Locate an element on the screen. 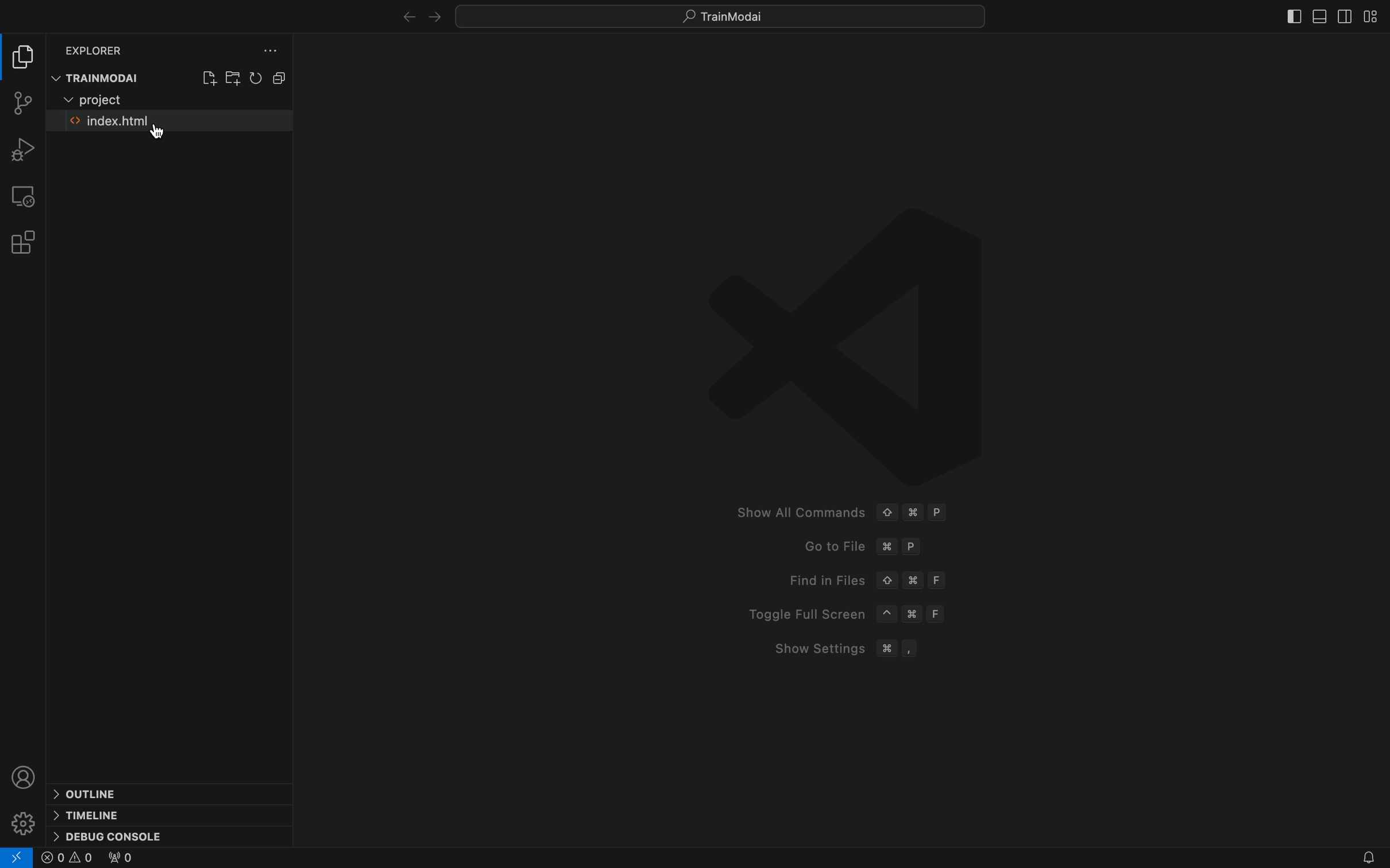 Image resolution: width=1390 pixels, height=868 pixels. debug console is located at coordinates (123, 835).